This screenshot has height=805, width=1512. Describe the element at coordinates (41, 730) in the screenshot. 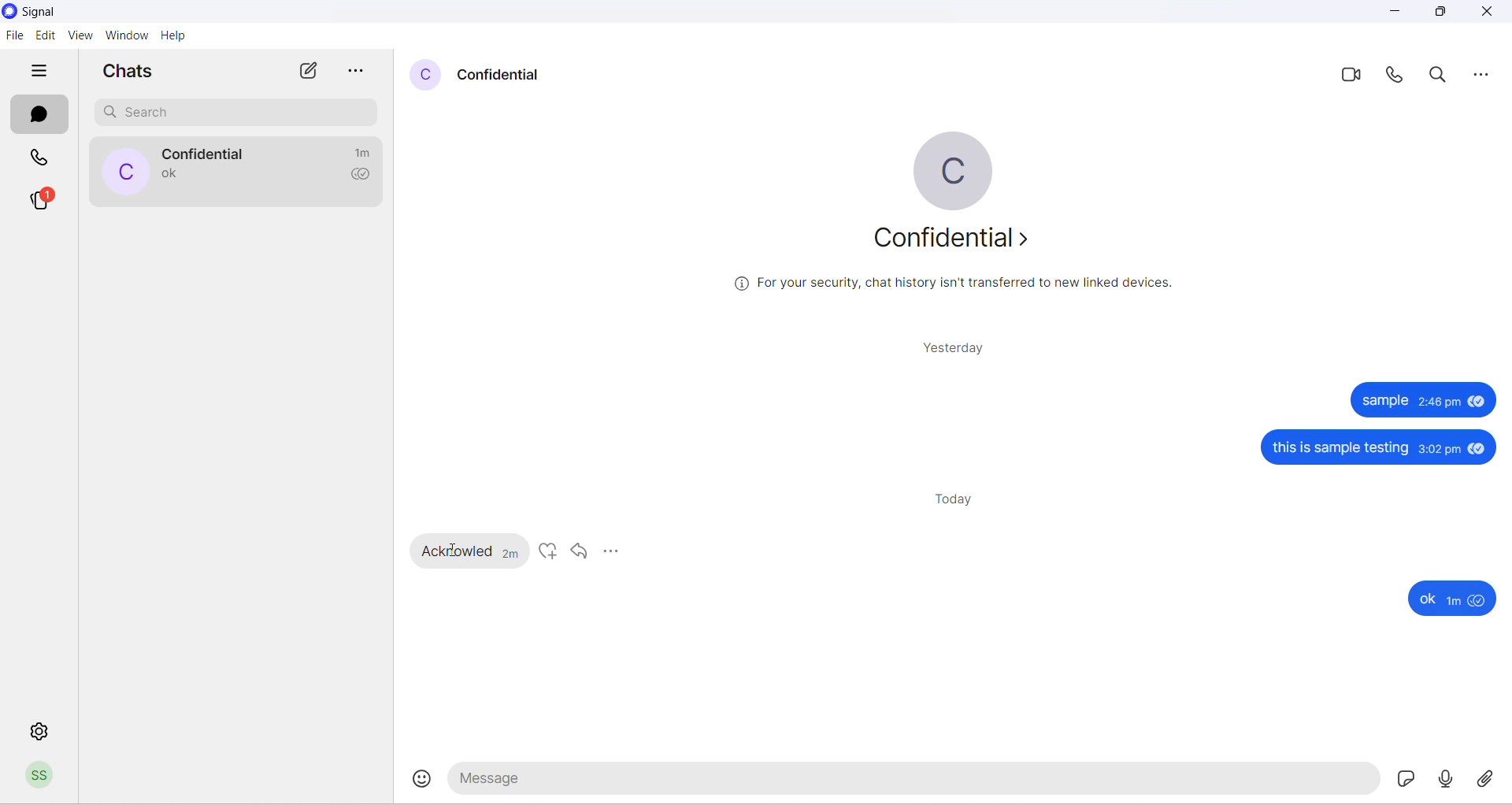

I see `settings` at that location.